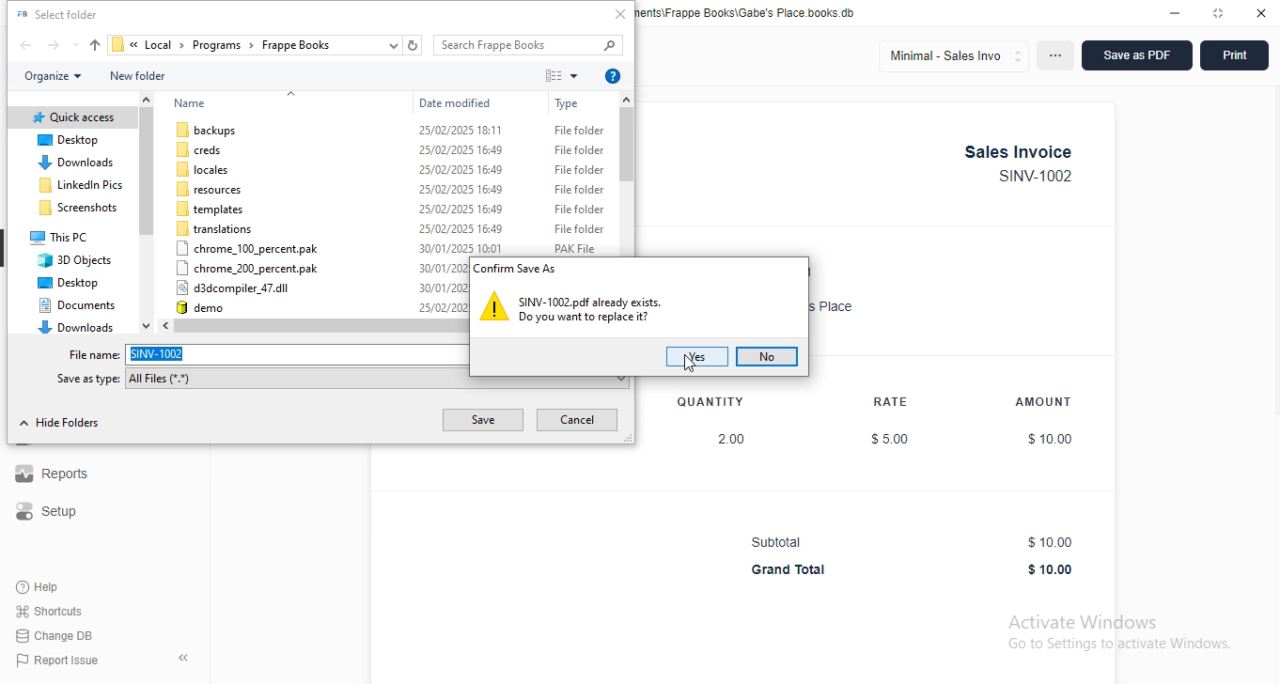 The image size is (1280, 684). I want to click on drop down, so click(182, 44).